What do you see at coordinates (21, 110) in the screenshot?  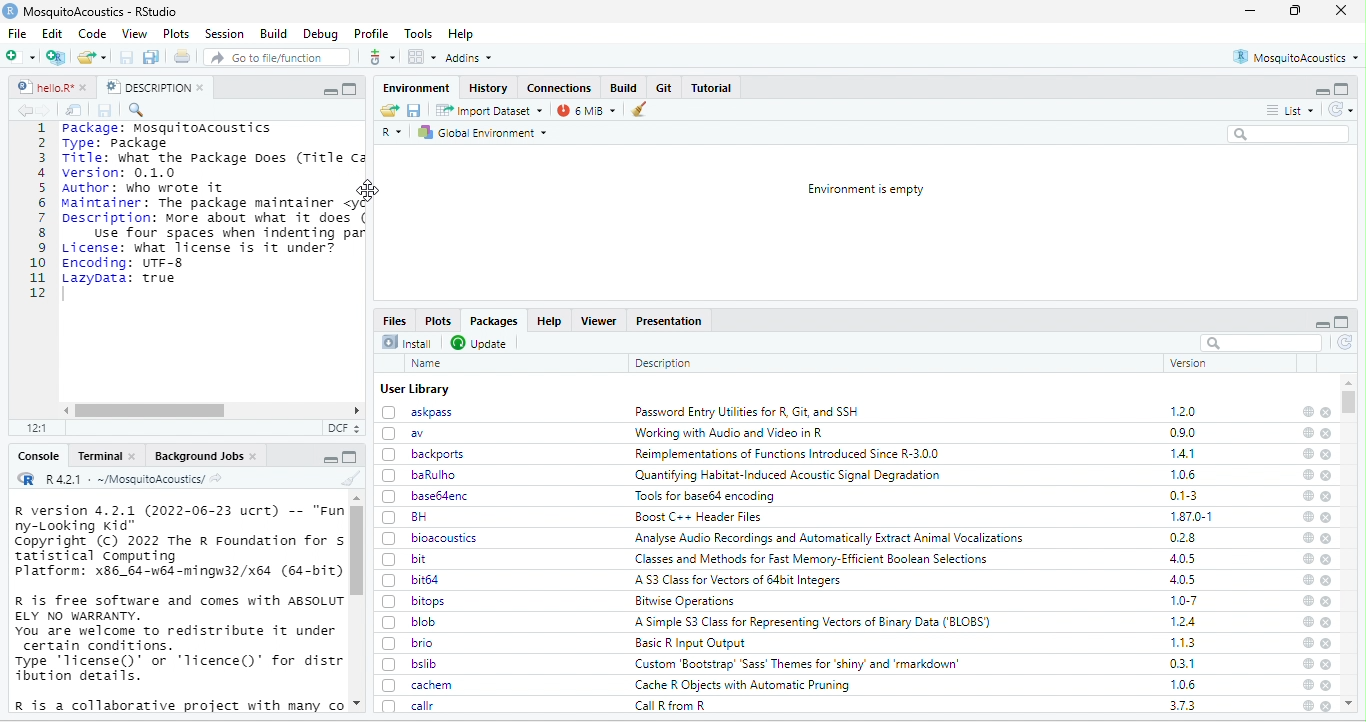 I see `backward` at bounding box center [21, 110].